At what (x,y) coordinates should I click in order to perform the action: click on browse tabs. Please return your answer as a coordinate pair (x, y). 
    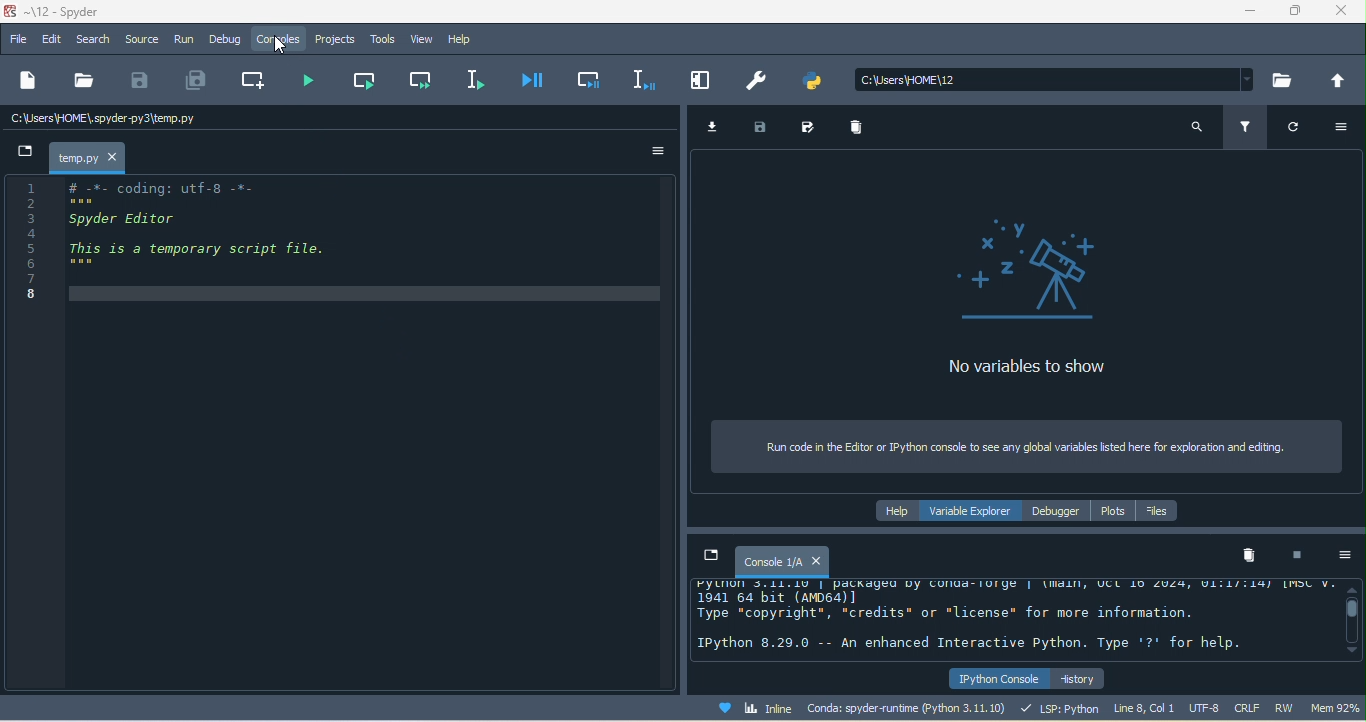
    Looking at the image, I should click on (709, 556).